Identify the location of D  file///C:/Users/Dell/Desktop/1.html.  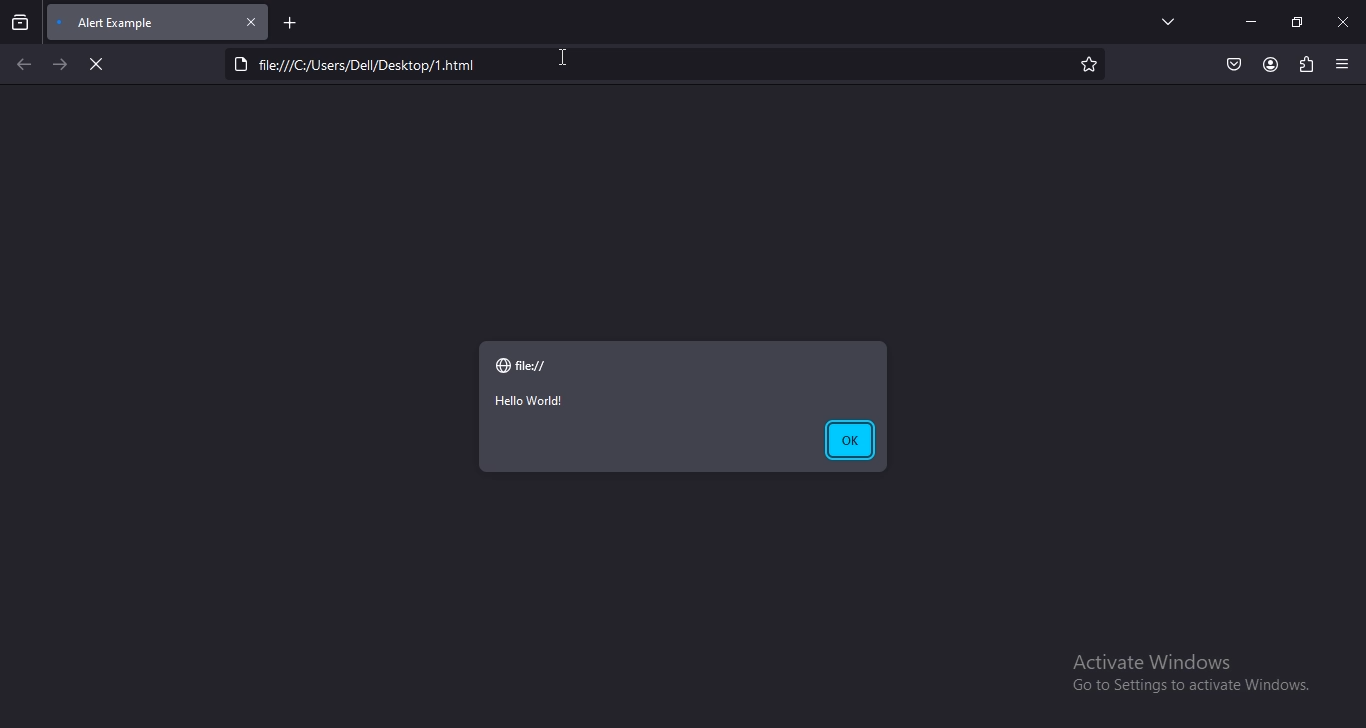
(370, 63).